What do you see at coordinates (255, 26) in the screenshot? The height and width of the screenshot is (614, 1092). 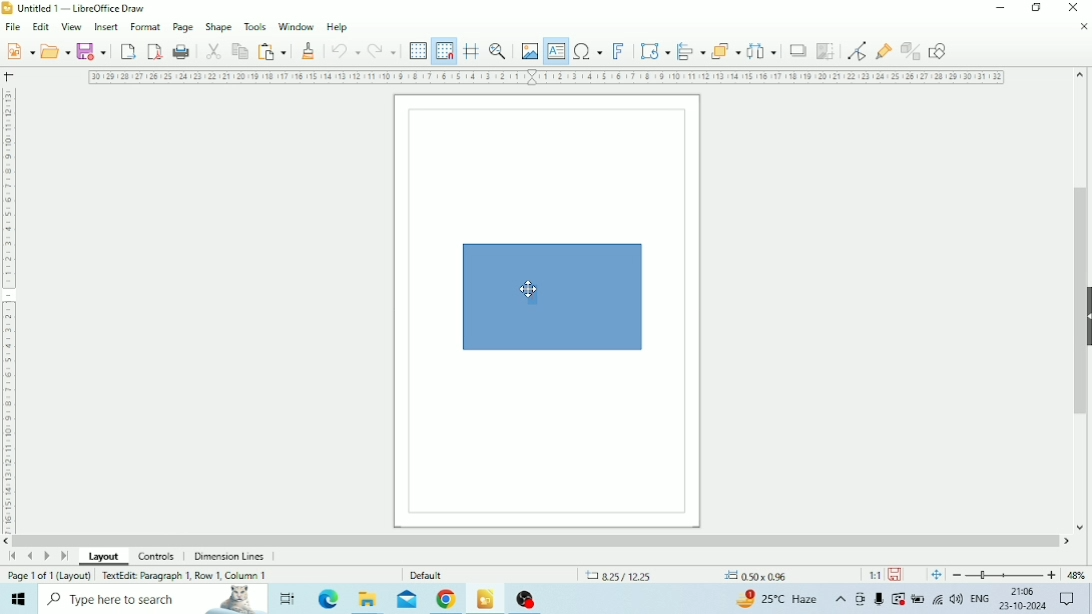 I see `Tools` at bounding box center [255, 26].